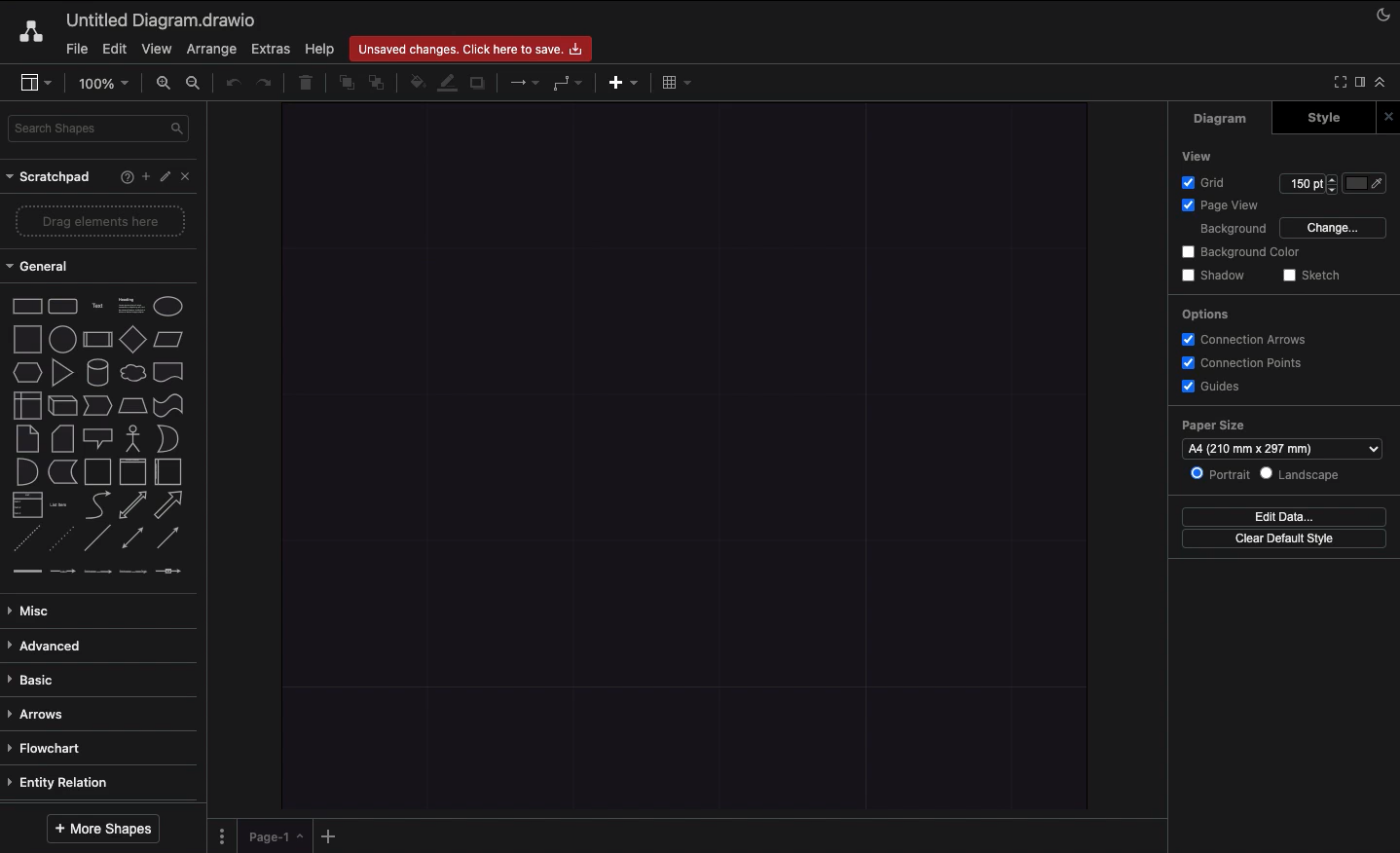 Image resolution: width=1400 pixels, height=853 pixels. I want to click on Clear default style, so click(1287, 539).